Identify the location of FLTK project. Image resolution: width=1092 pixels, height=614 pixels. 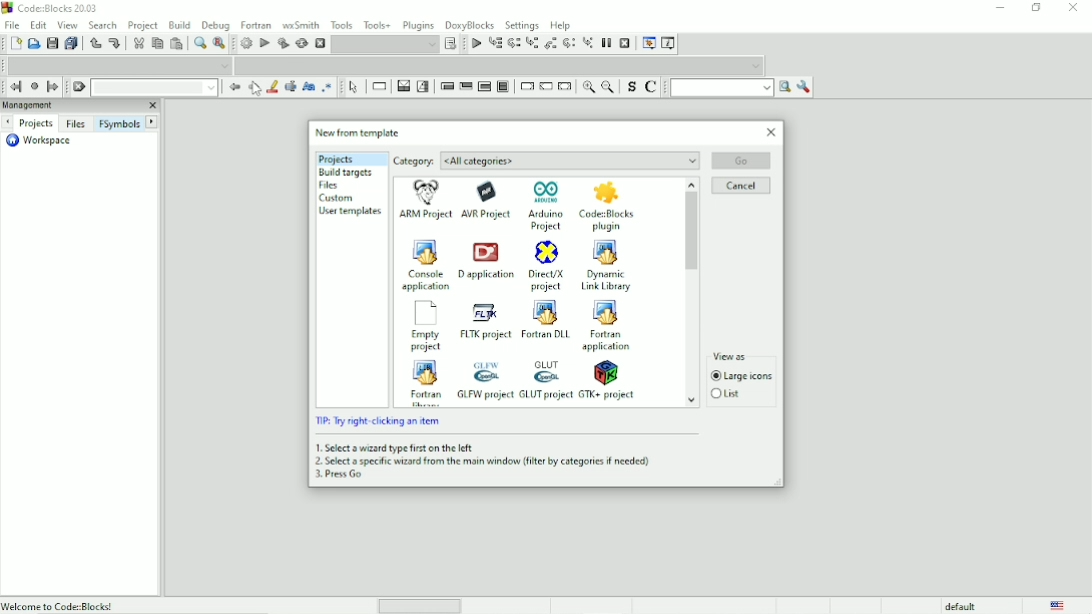
(483, 322).